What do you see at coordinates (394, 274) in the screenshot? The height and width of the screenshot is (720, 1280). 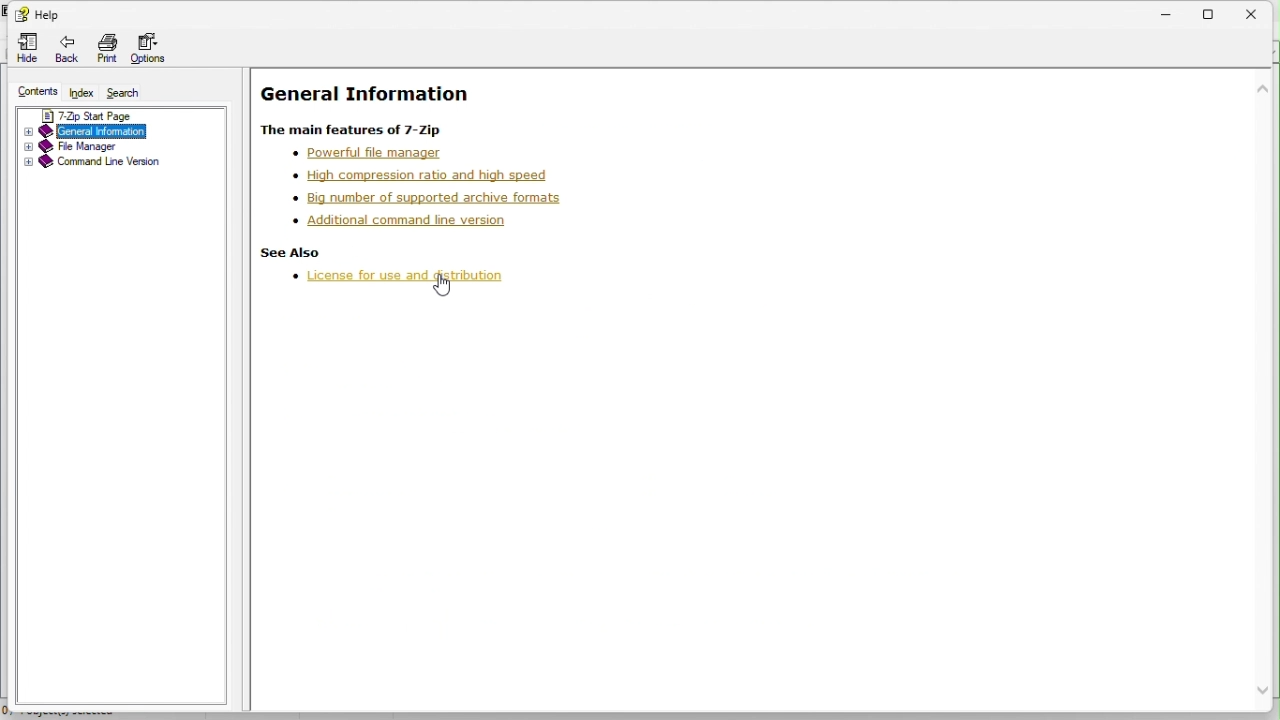 I see `License for use and distribution` at bounding box center [394, 274].